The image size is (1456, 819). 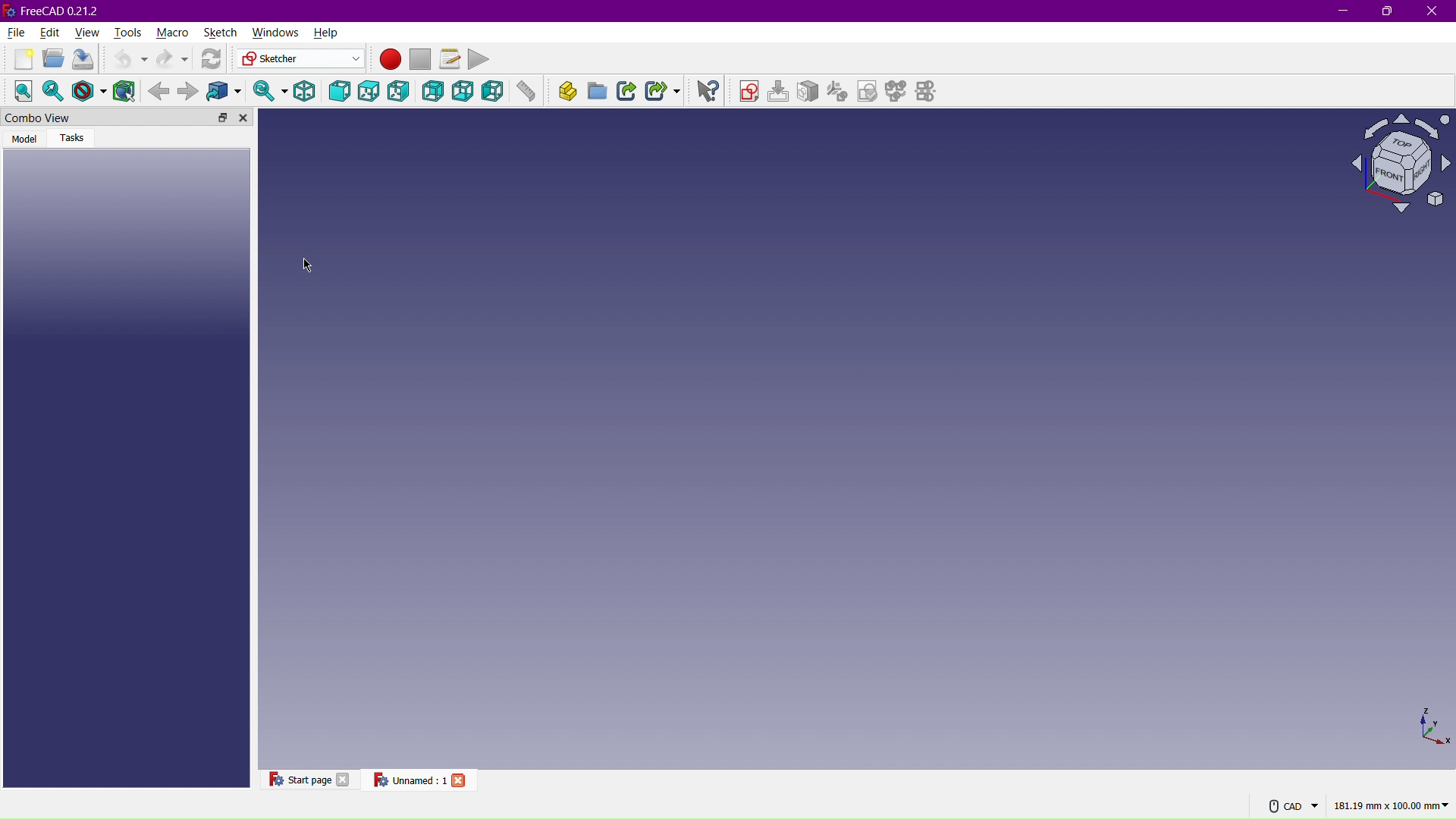 I want to click on Tasks, so click(x=75, y=139).